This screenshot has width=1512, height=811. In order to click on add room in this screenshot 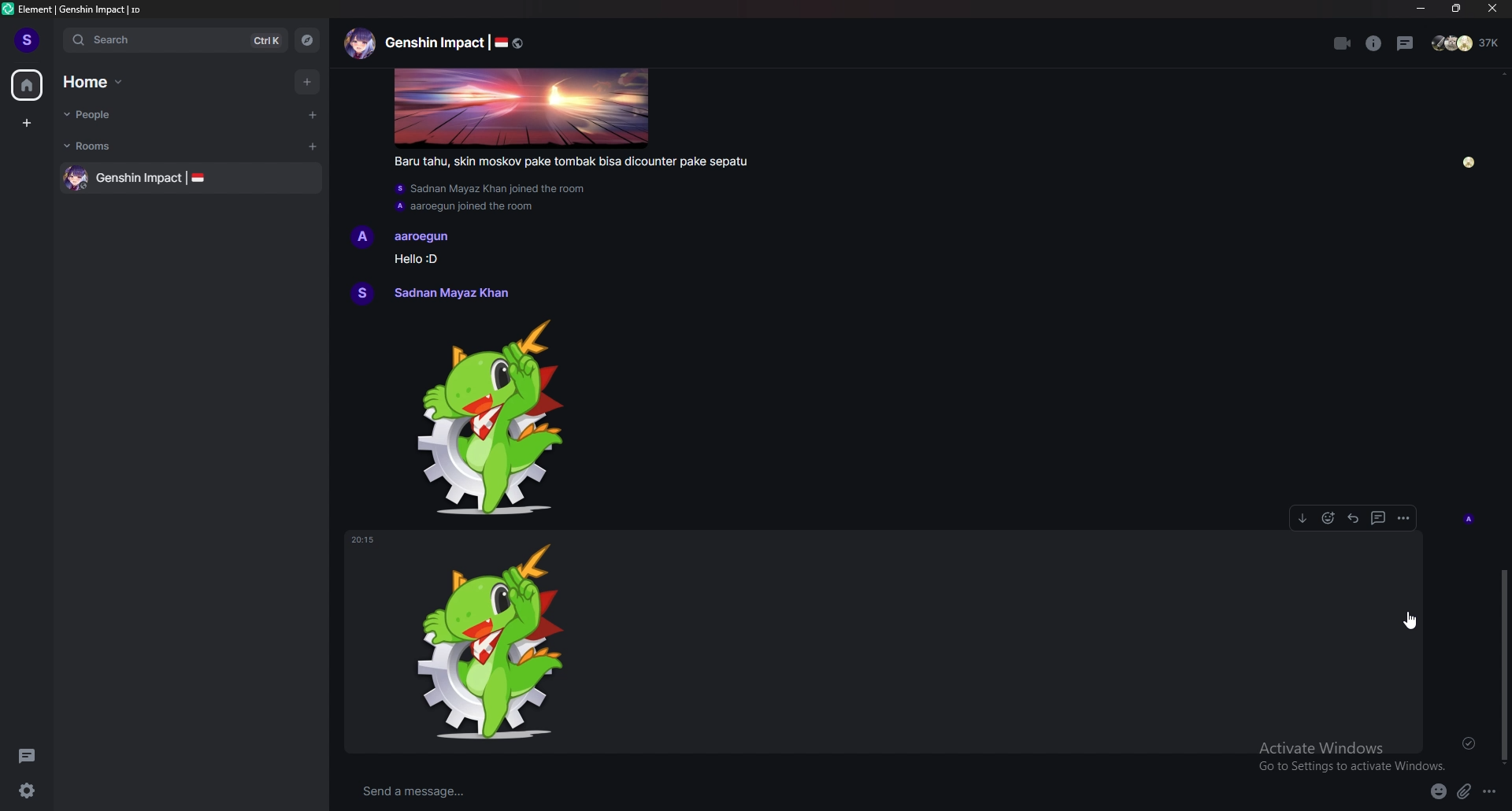, I will do `click(313, 146)`.